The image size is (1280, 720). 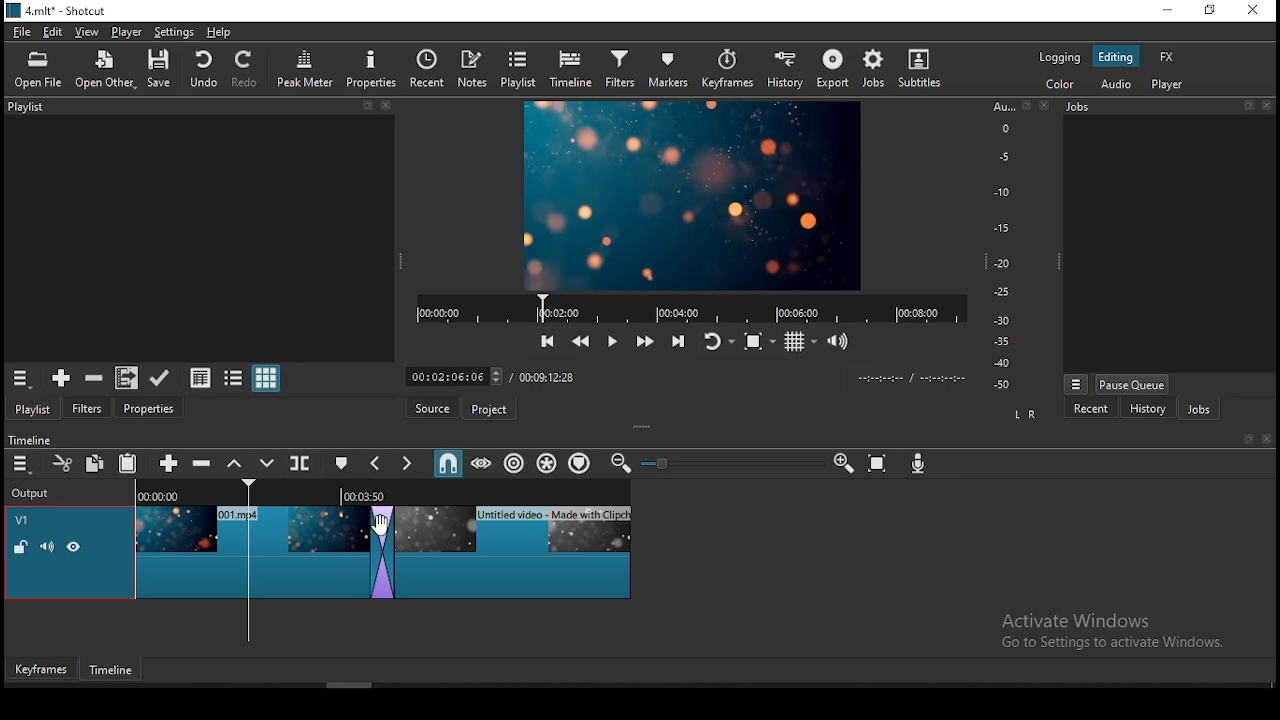 What do you see at coordinates (1199, 409) in the screenshot?
I see `jobs` at bounding box center [1199, 409].